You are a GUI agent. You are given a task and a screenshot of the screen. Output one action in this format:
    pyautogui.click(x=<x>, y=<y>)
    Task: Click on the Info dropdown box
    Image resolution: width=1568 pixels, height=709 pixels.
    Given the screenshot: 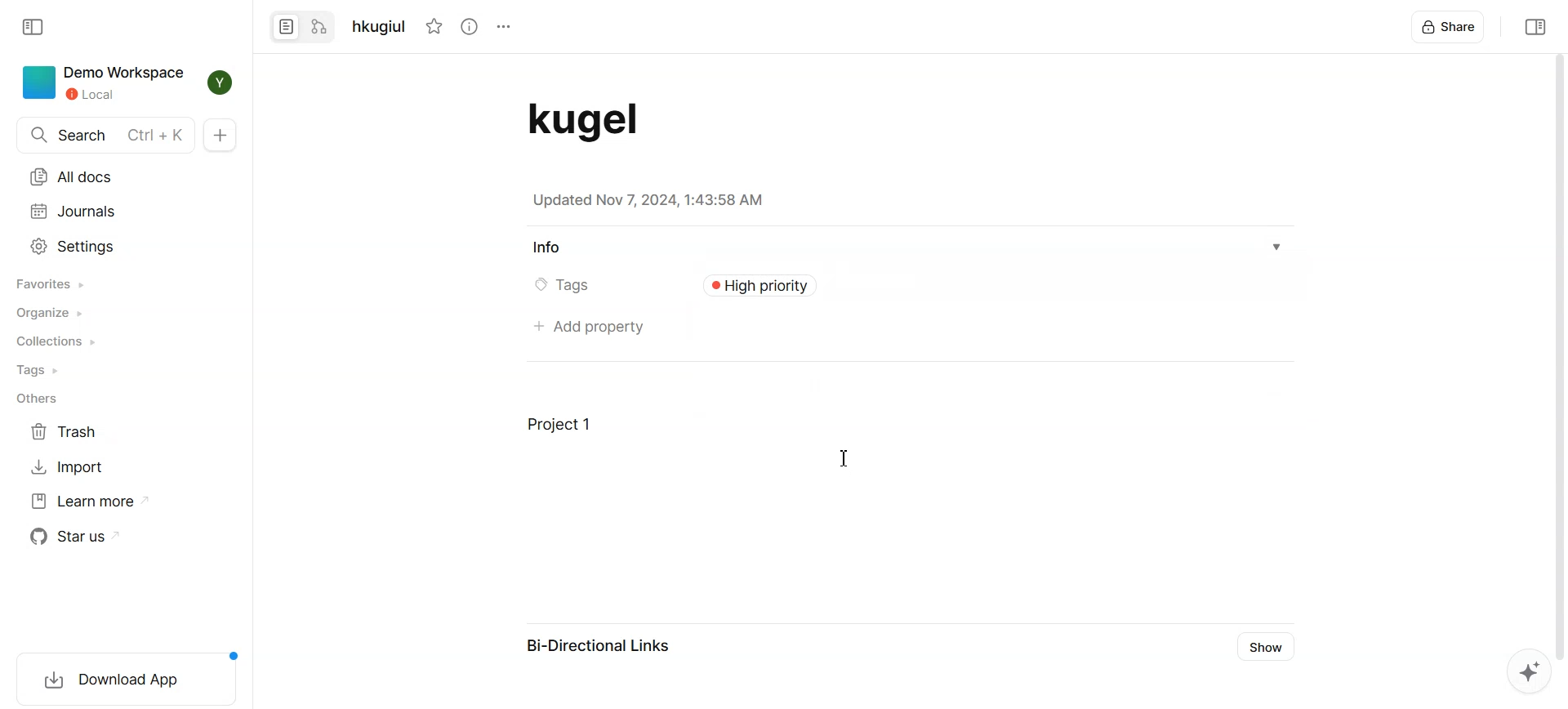 What is the action you would take?
    pyautogui.click(x=1287, y=247)
    